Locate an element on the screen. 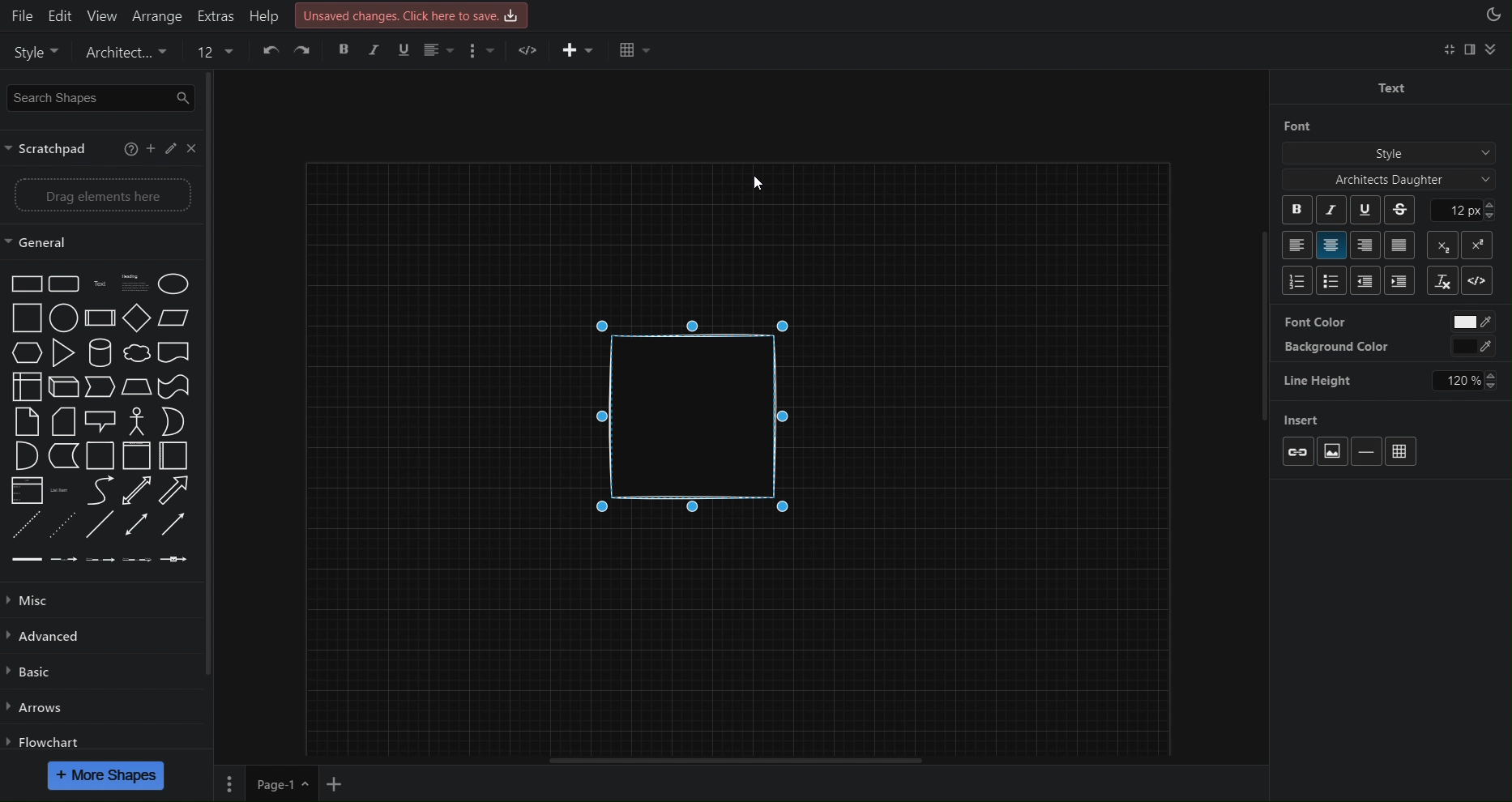 Image resolution: width=1512 pixels, height=802 pixels. Arrows is located at coordinates (35, 708).